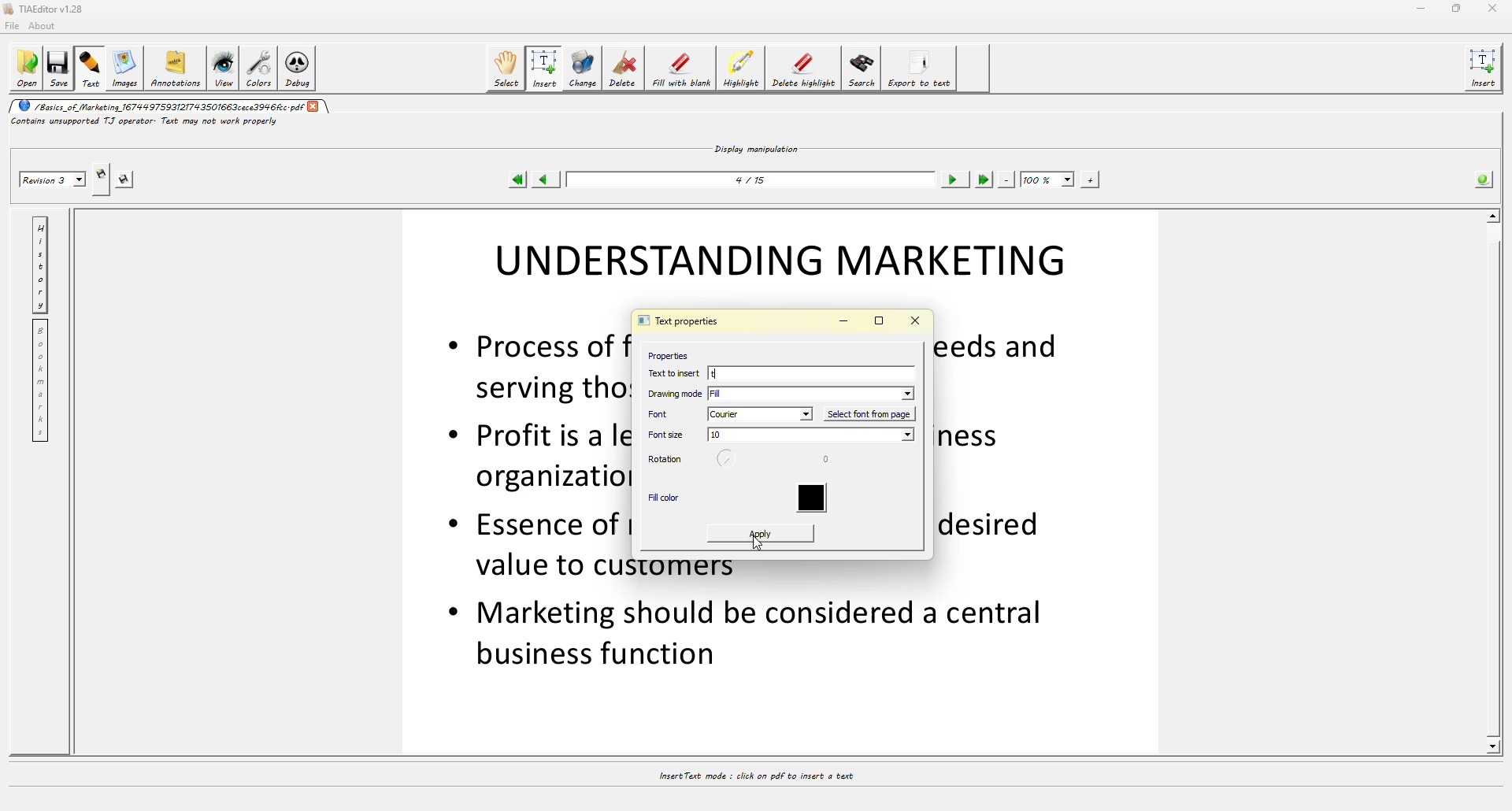 This screenshot has height=811, width=1512. What do you see at coordinates (778, 372) in the screenshot?
I see `t` at bounding box center [778, 372].